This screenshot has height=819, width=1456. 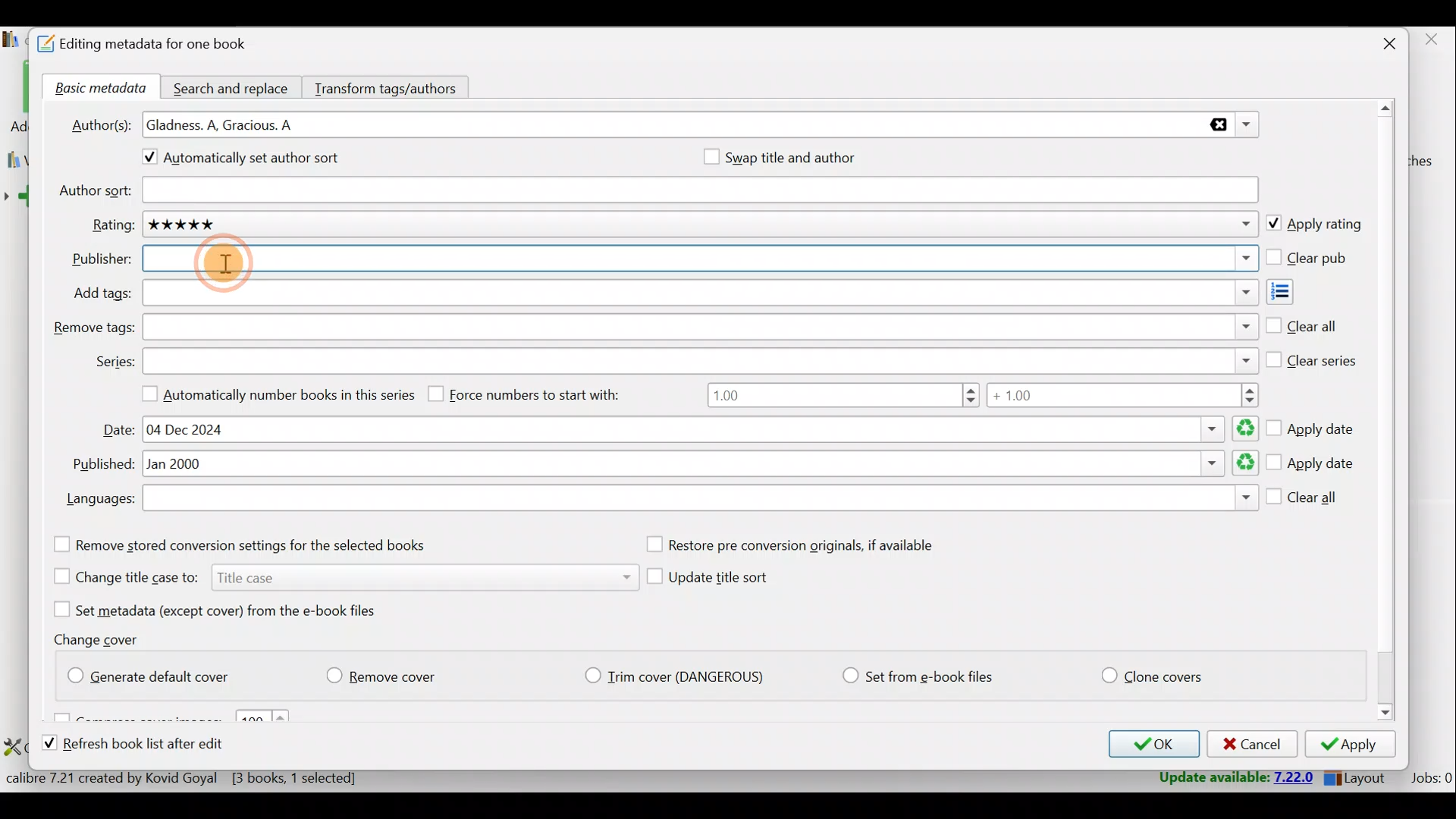 What do you see at coordinates (1234, 778) in the screenshot?
I see `Update` at bounding box center [1234, 778].